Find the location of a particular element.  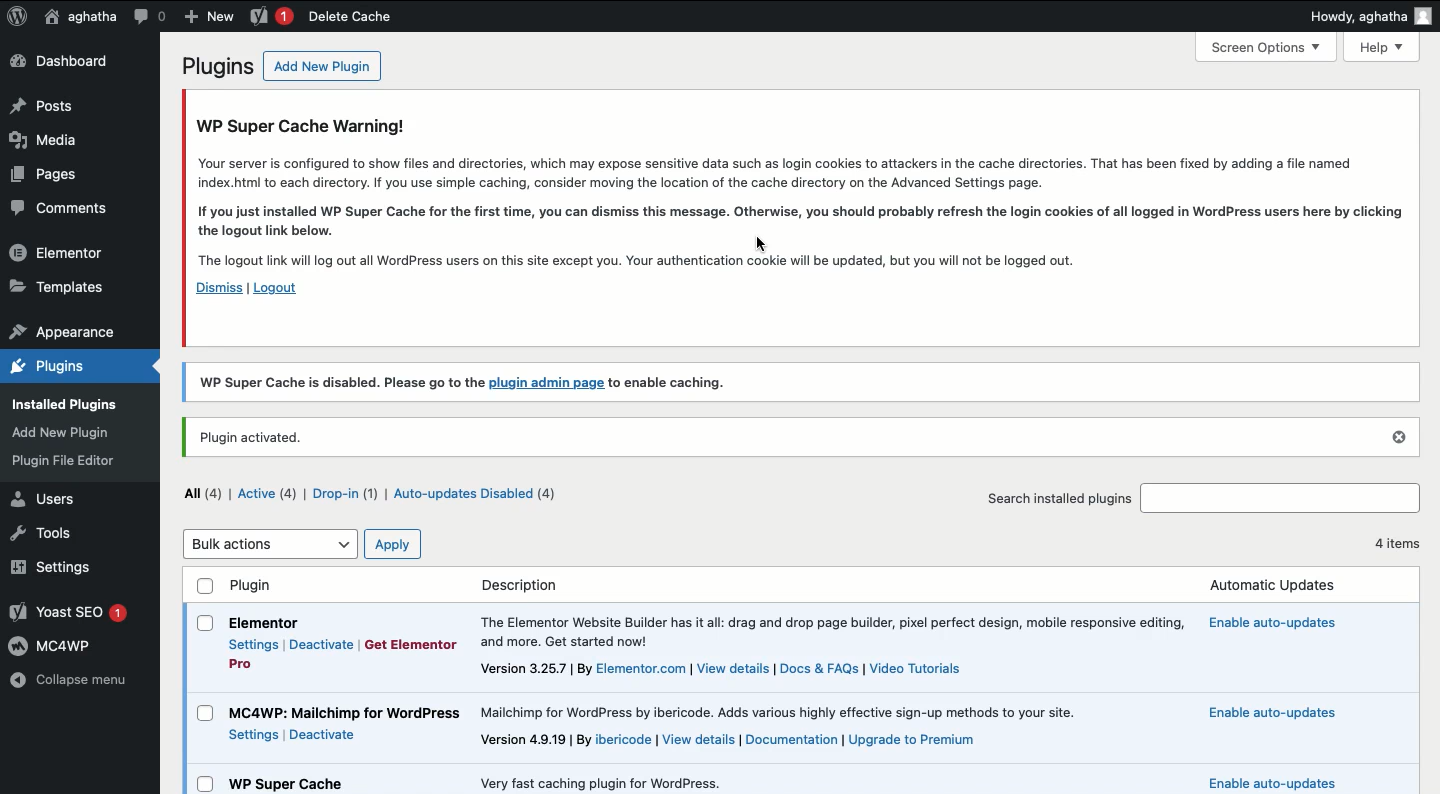

Search installed plugins is located at coordinates (1061, 498).